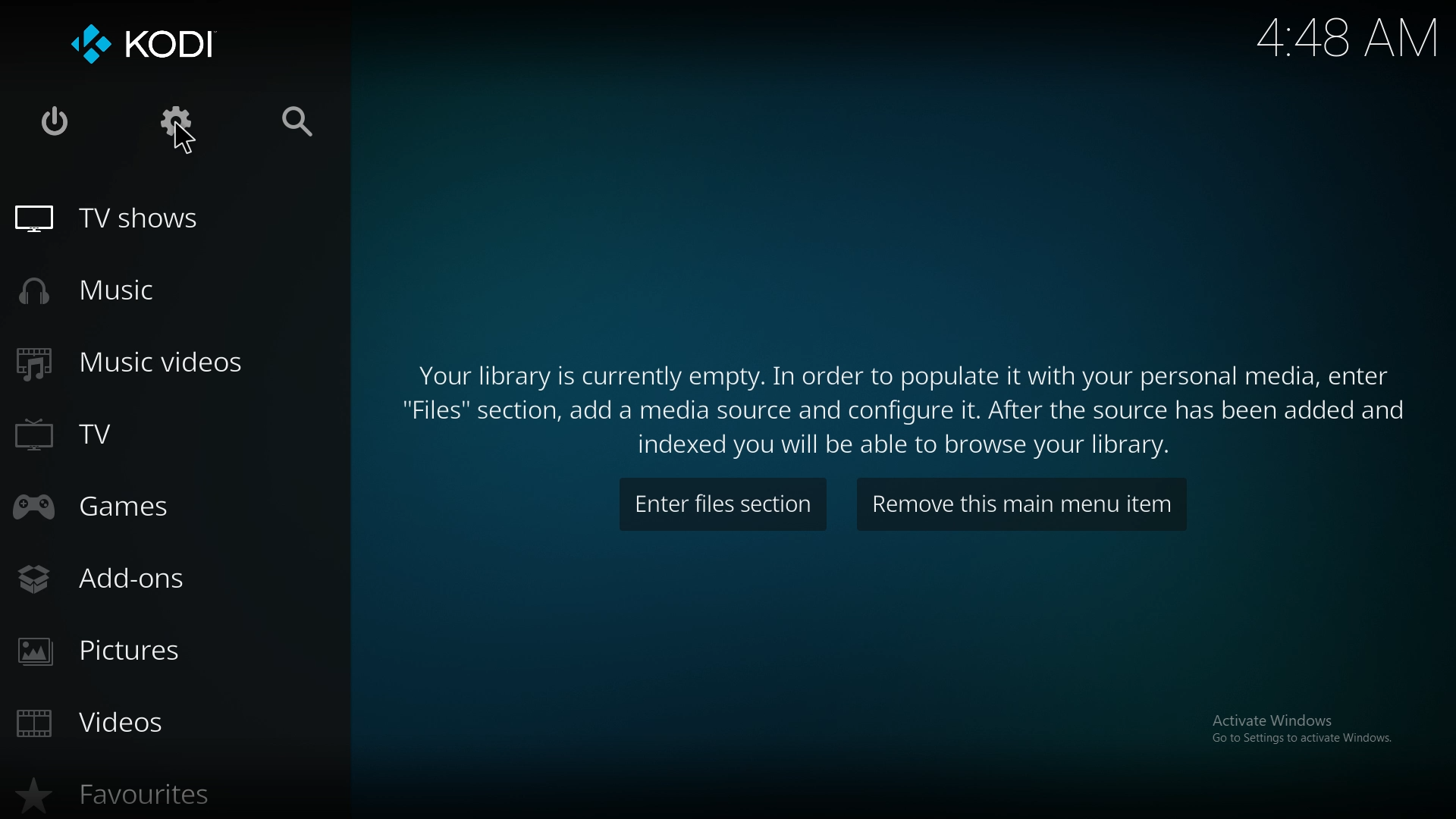  What do you see at coordinates (1301, 728) in the screenshot?
I see `` at bounding box center [1301, 728].